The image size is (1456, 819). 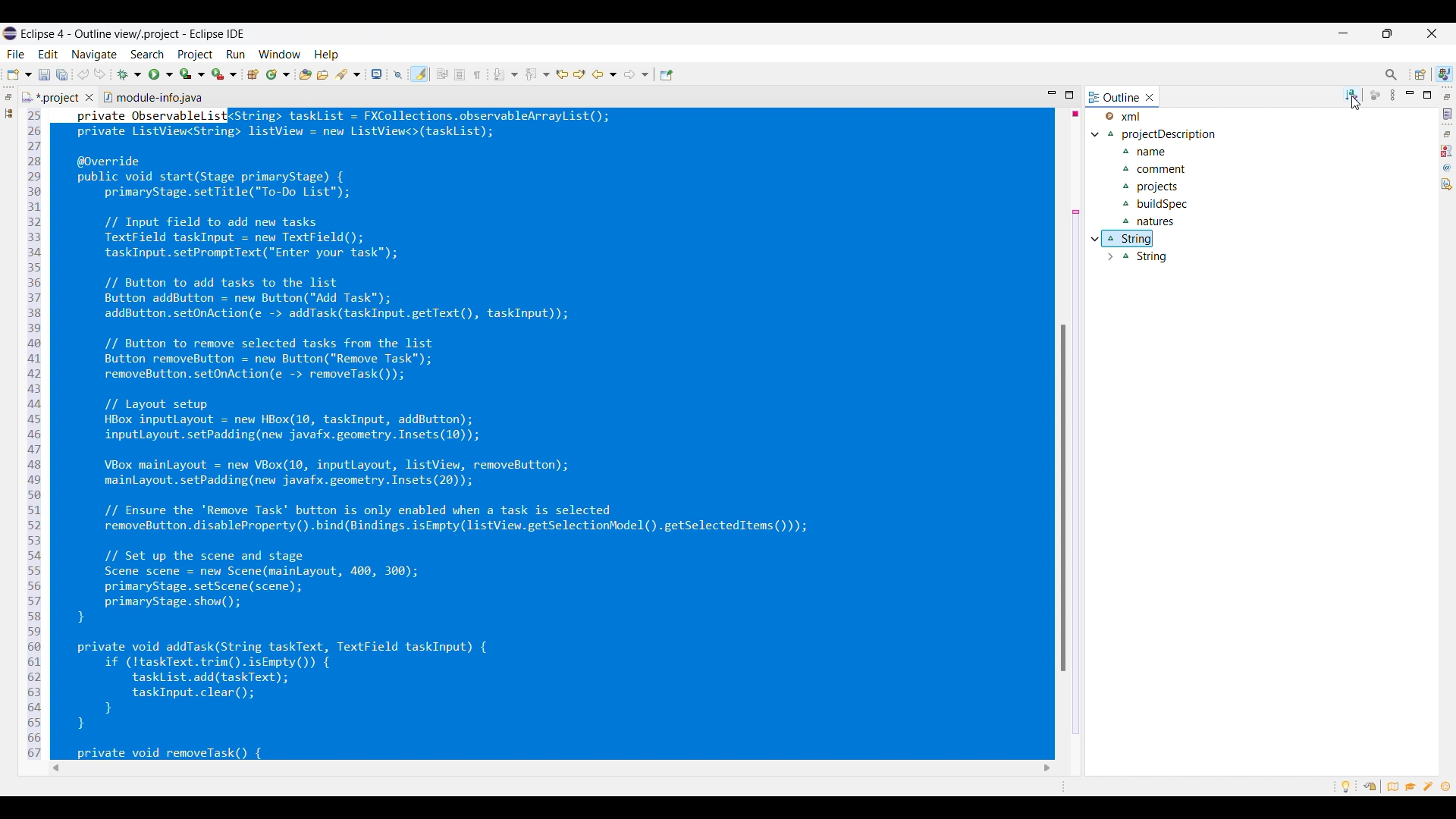 What do you see at coordinates (1448, 114) in the screenshot?
I see `Task list` at bounding box center [1448, 114].